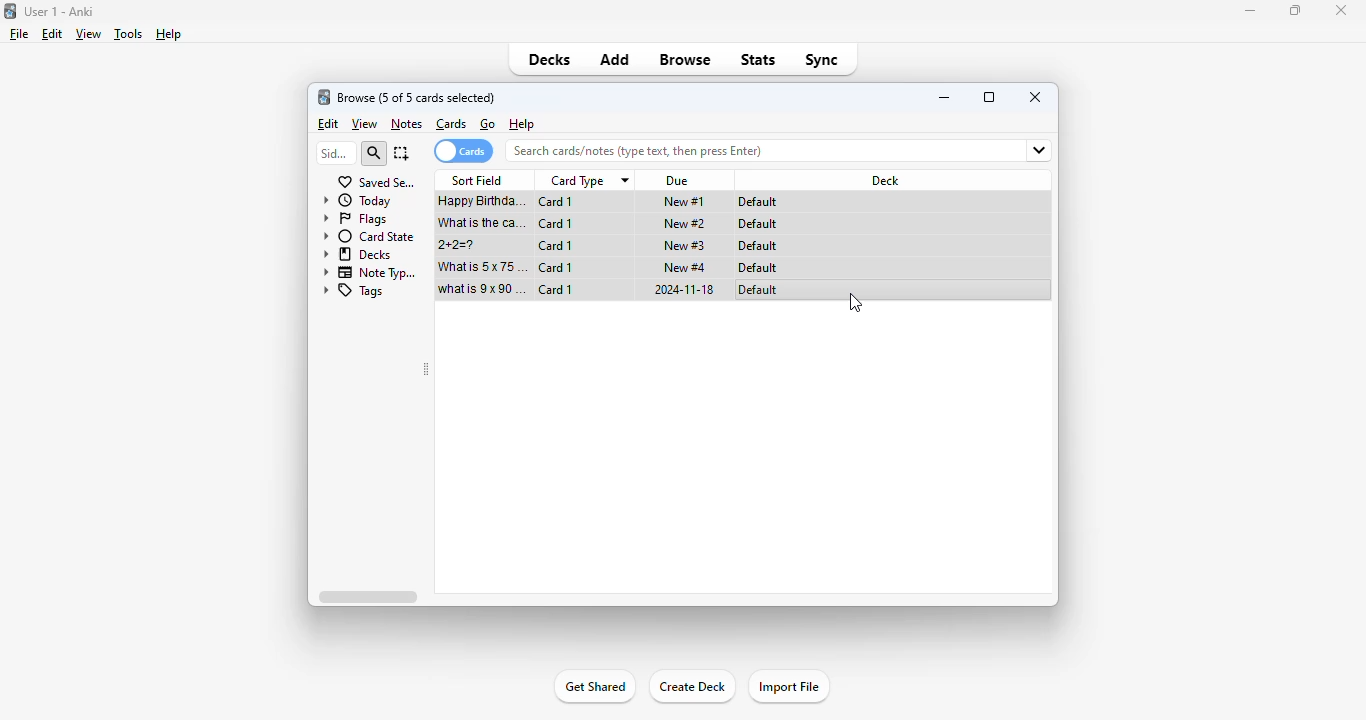 Image resolution: width=1366 pixels, height=720 pixels. What do you see at coordinates (760, 202) in the screenshot?
I see `default` at bounding box center [760, 202].